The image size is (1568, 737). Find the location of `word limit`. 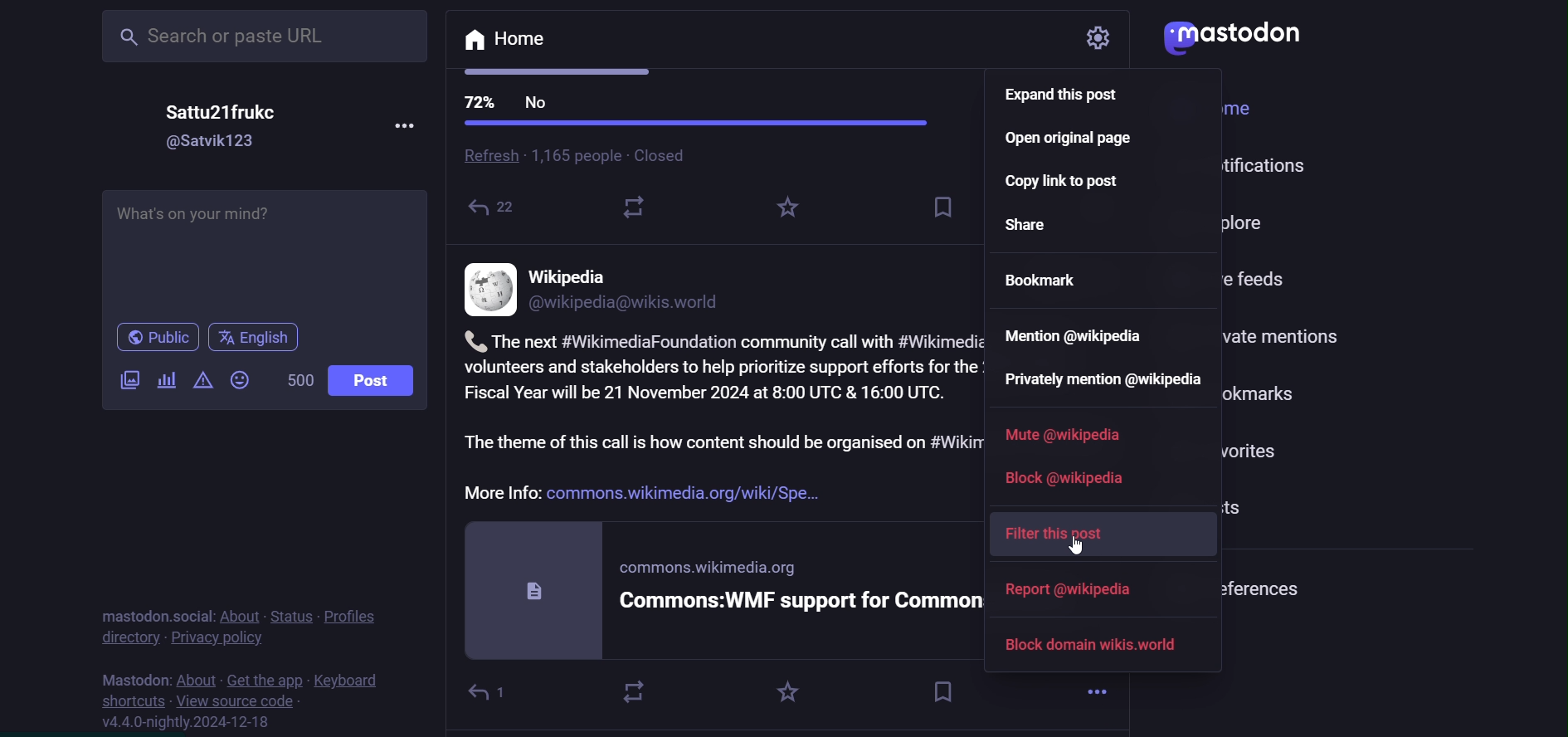

word limit is located at coordinates (296, 379).